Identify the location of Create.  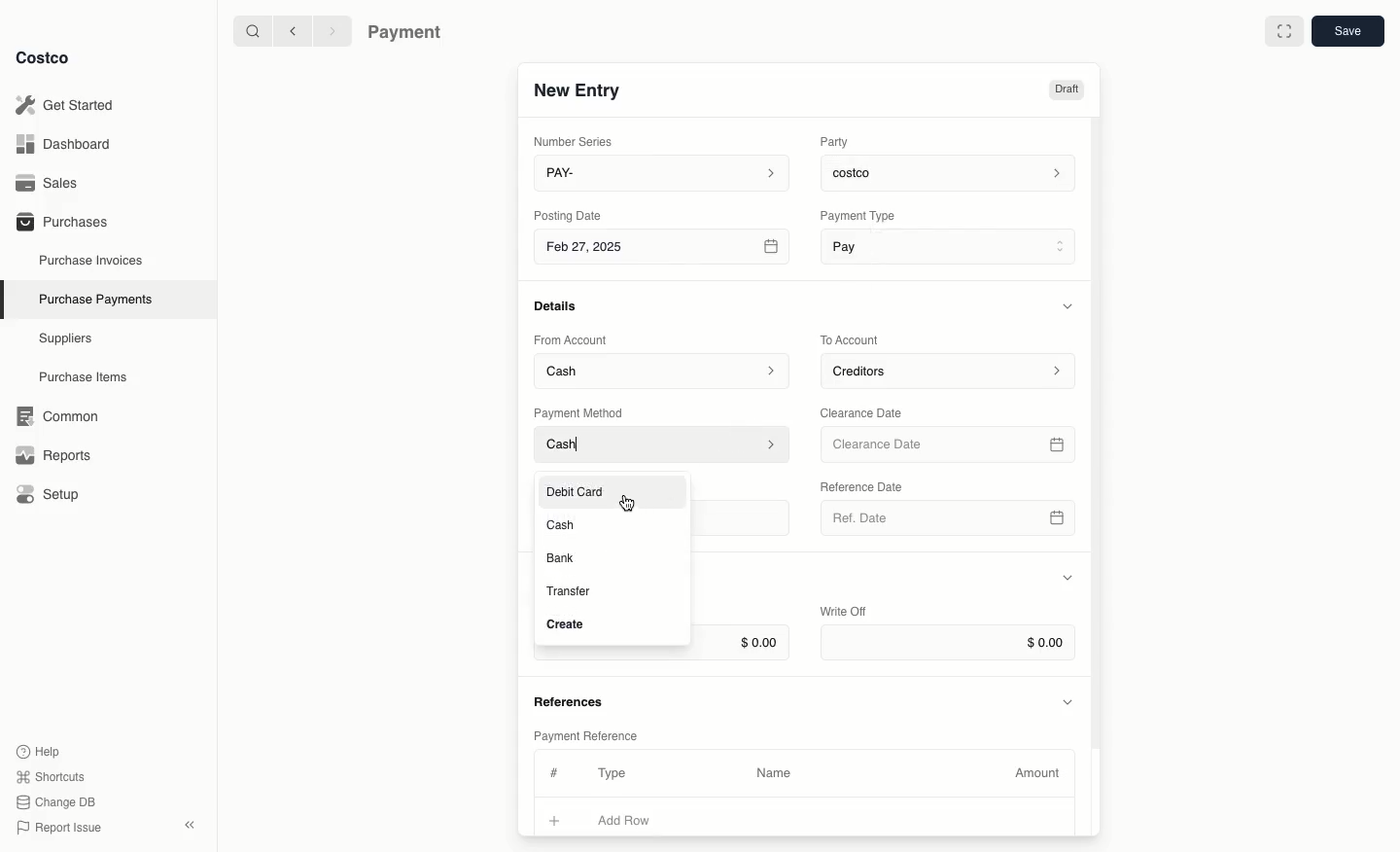
(567, 625).